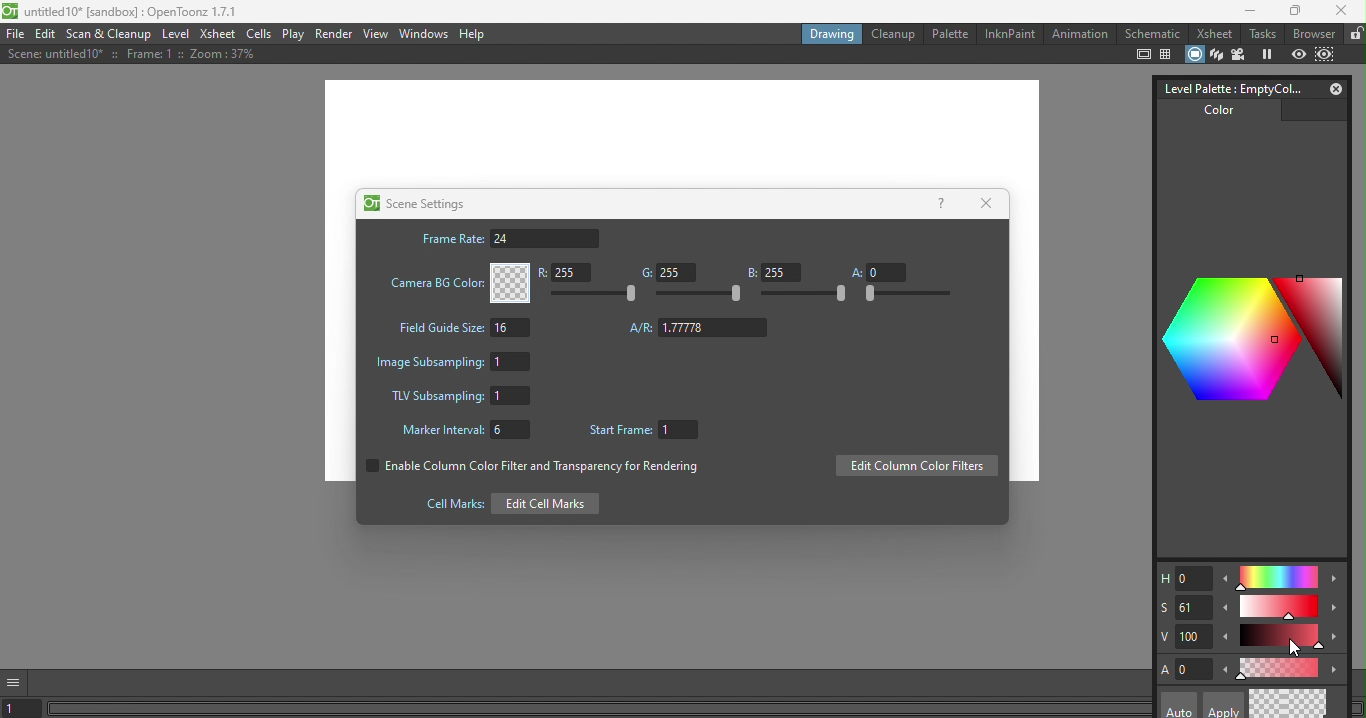  Describe the element at coordinates (1247, 336) in the screenshot. I see `Color palettes` at that location.